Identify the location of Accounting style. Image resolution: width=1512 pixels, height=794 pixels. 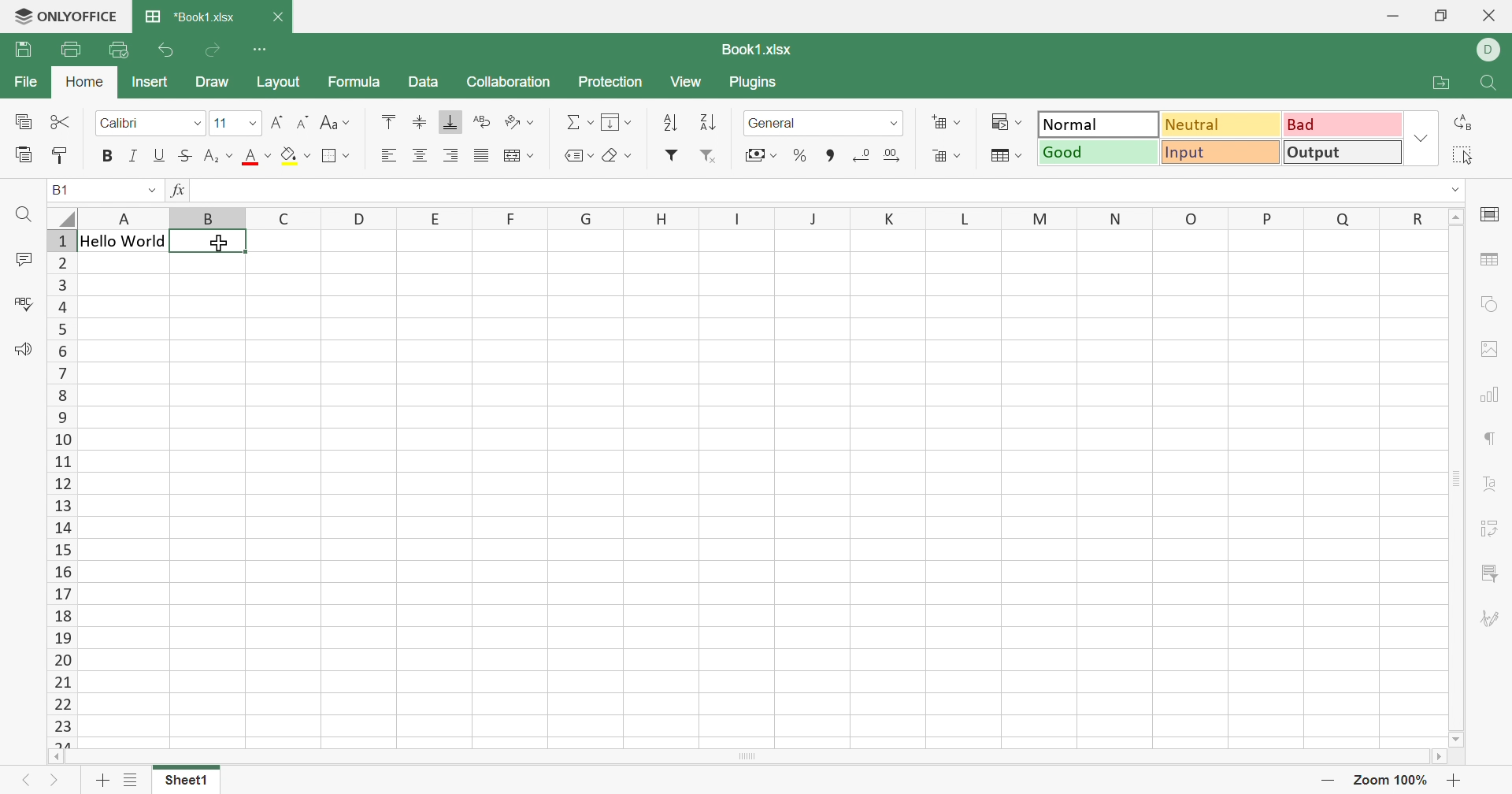
(760, 154).